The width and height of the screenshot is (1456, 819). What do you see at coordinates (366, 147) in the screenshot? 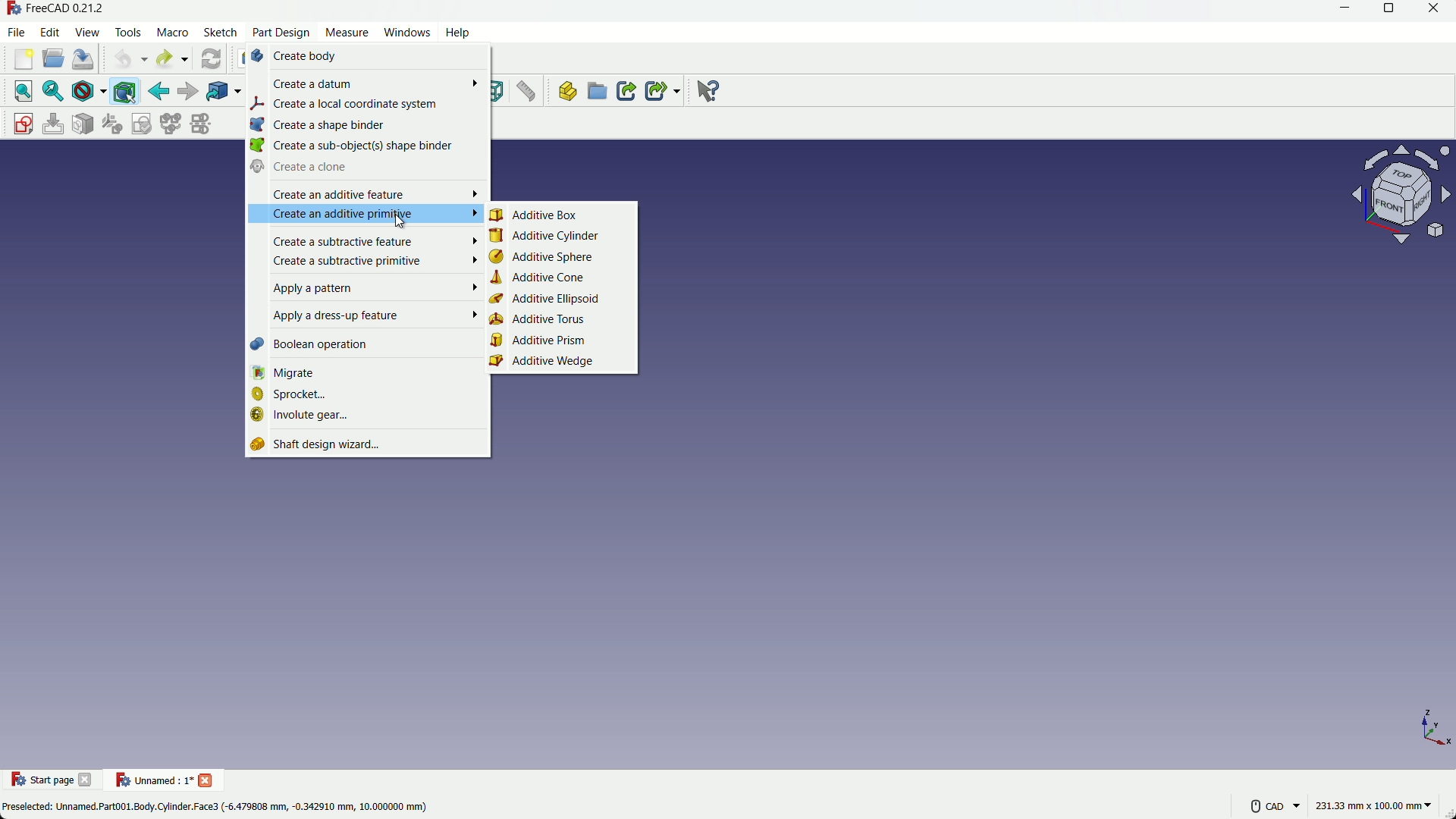
I see `create a sub objects sub binder` at bounding box center [366, 147].